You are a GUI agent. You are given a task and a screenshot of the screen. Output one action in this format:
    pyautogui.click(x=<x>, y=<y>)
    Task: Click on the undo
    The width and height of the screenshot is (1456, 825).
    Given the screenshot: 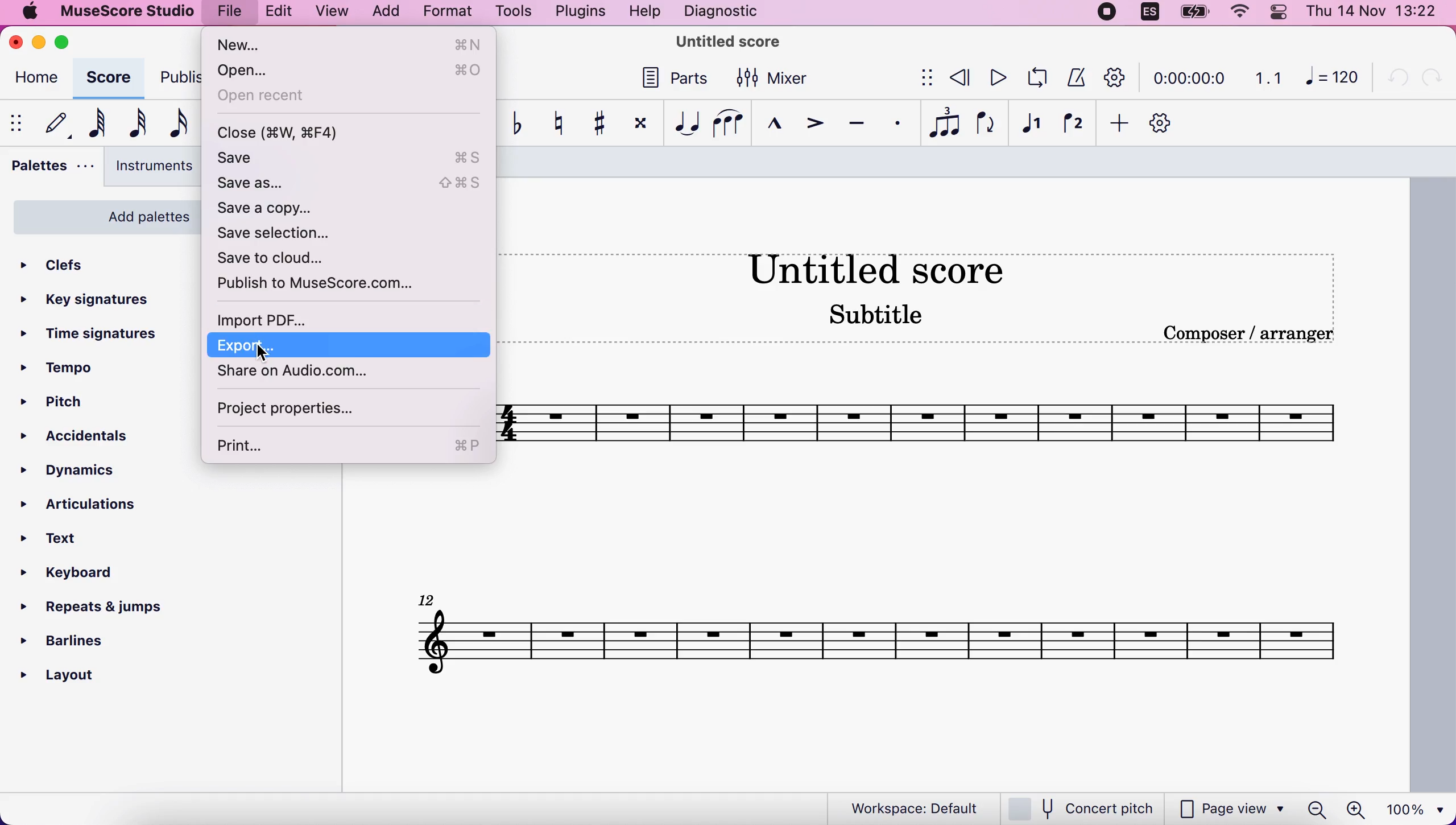 What is the action you would take?
    pyautogui.click(x=1398, y=80)
    